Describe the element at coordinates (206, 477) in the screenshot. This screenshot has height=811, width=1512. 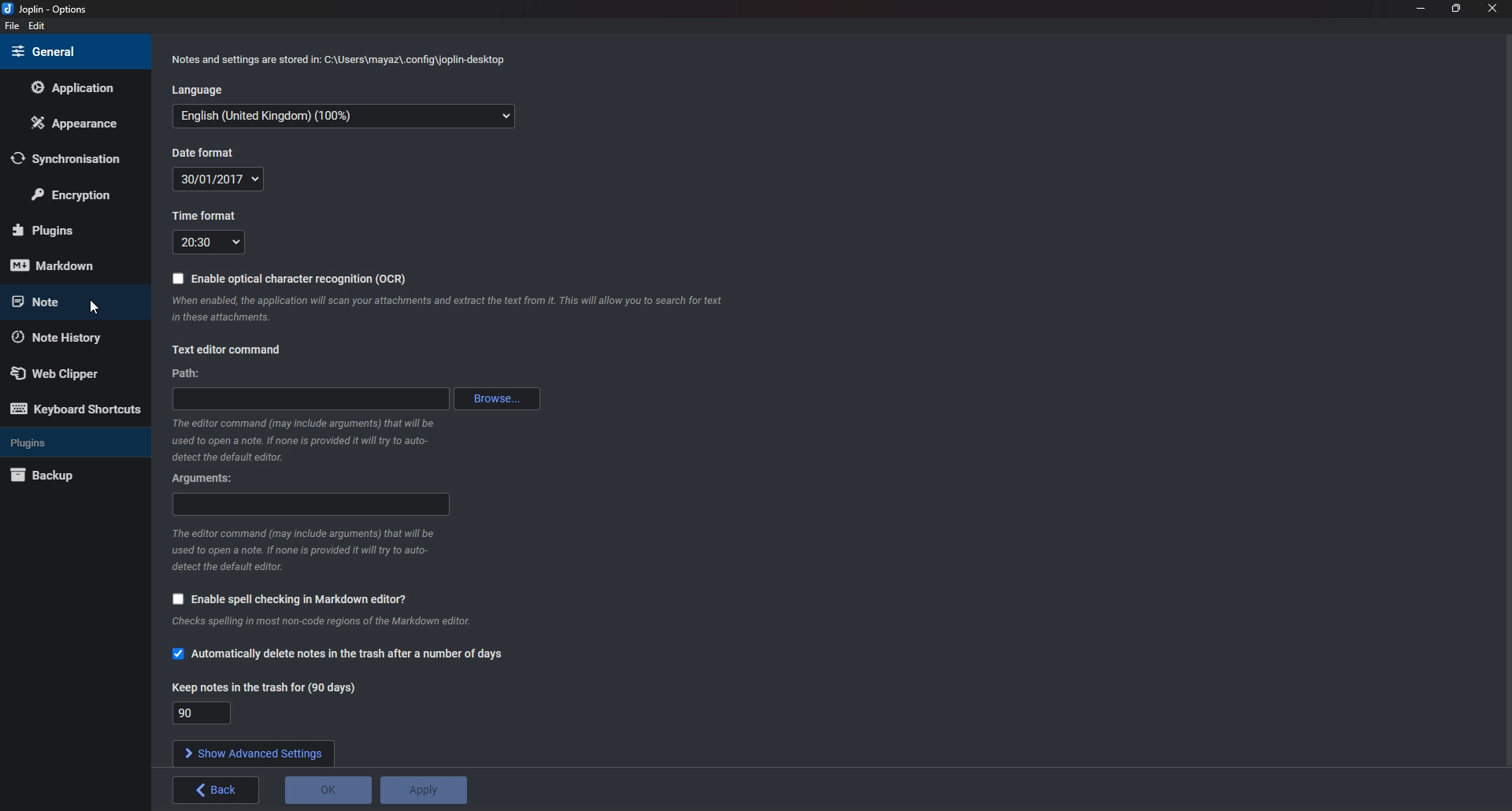
I see `Arguments` at that location.